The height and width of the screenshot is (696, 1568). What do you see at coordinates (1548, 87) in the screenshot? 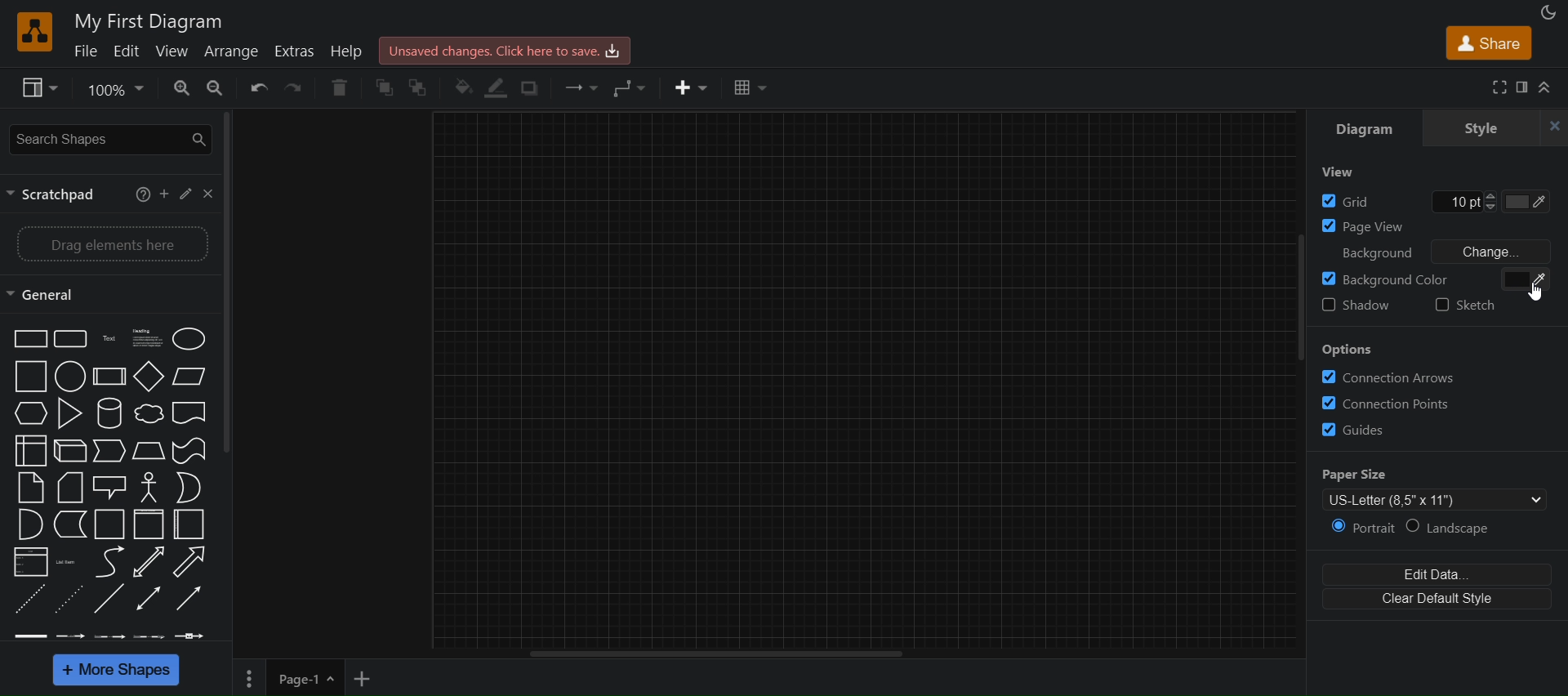
I see `collapse/expand` at bounding box center [1548, 87].